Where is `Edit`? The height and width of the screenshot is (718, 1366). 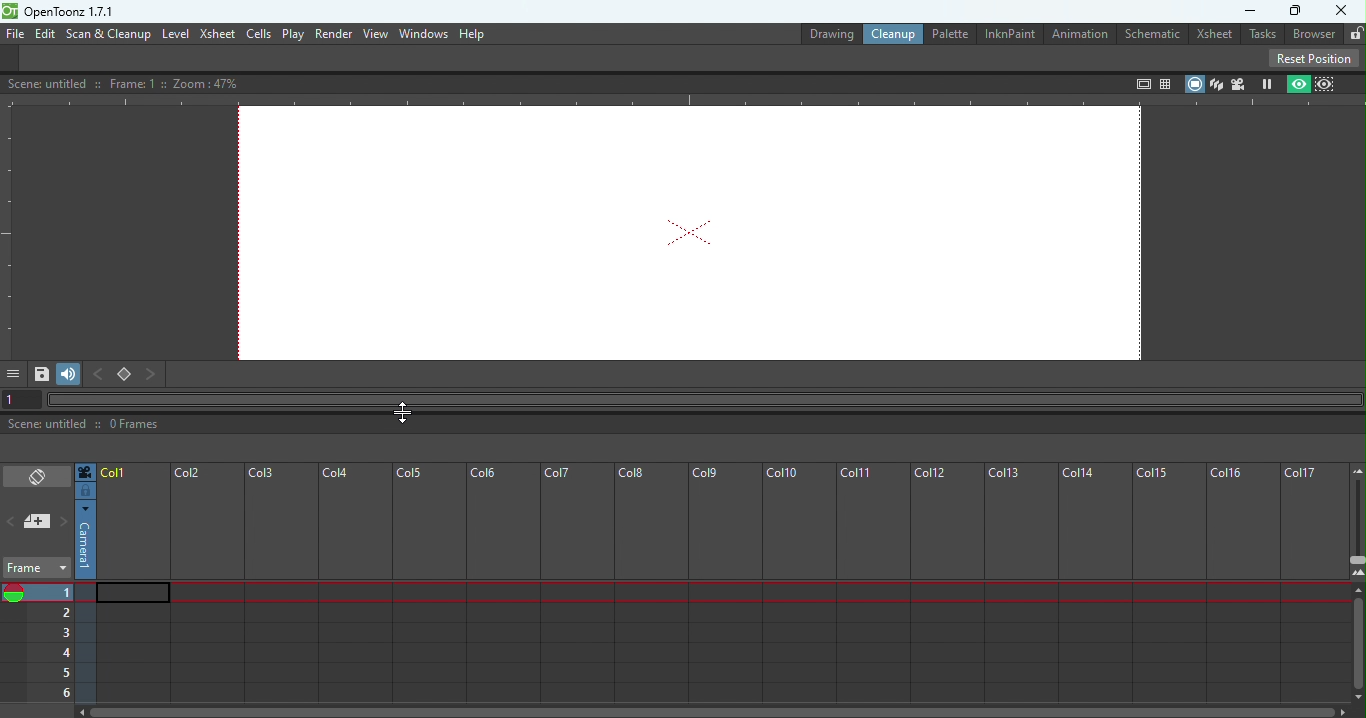 Edit is located at coordinates (44, 33).